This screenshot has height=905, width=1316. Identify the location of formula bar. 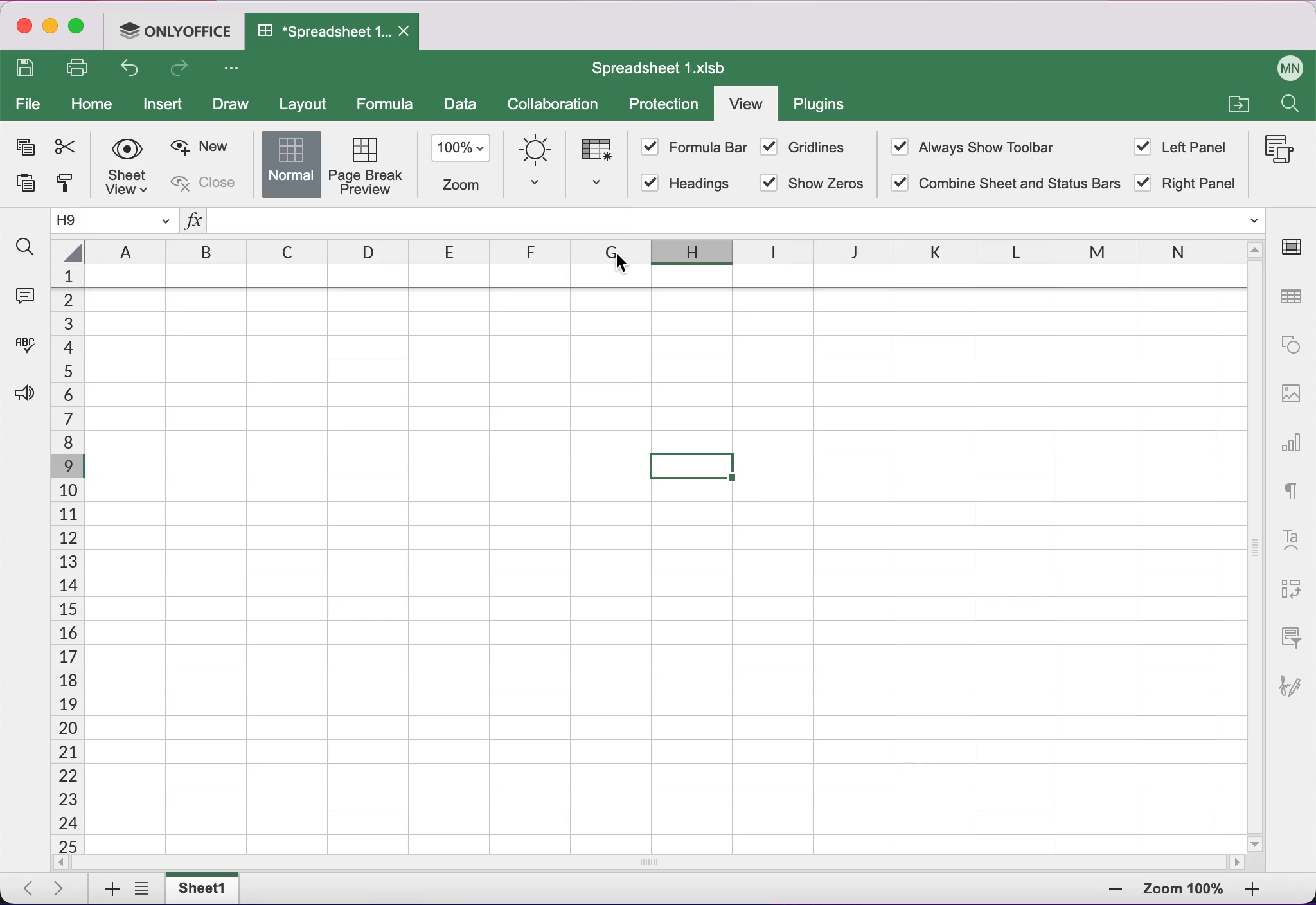
(700, 145).